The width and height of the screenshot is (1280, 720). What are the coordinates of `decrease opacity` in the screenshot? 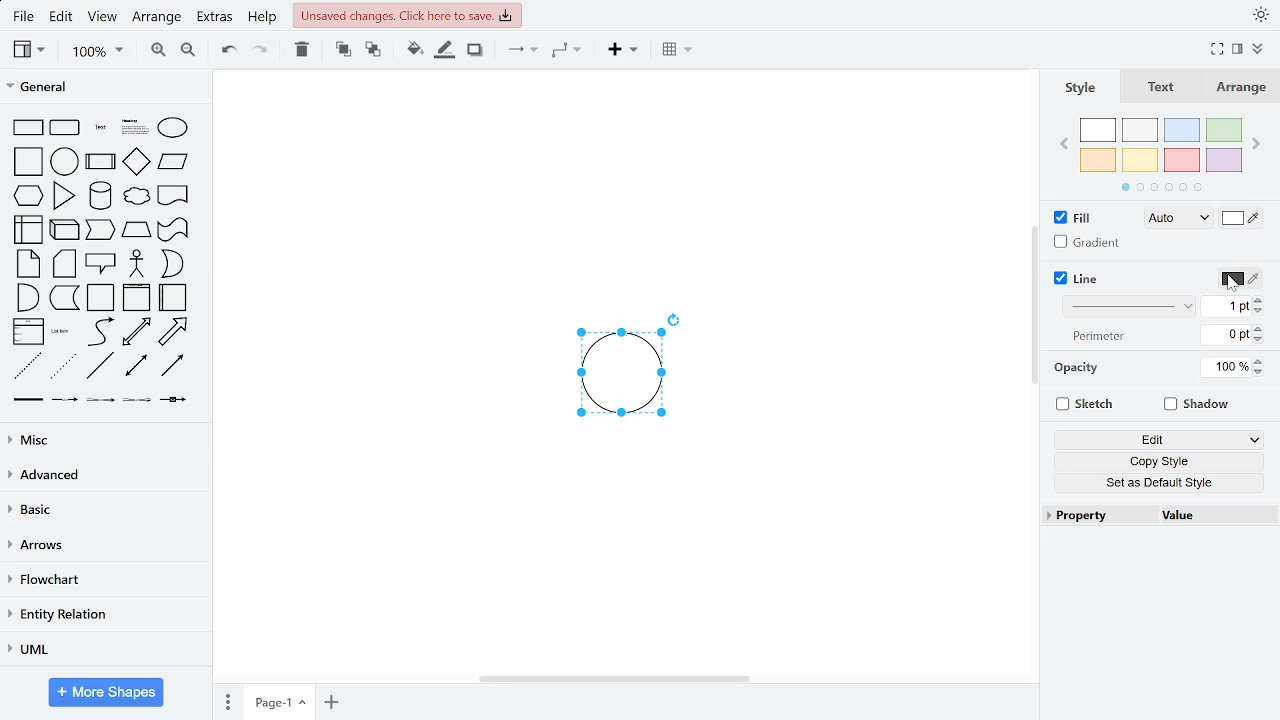 It's located at (1261, 371).